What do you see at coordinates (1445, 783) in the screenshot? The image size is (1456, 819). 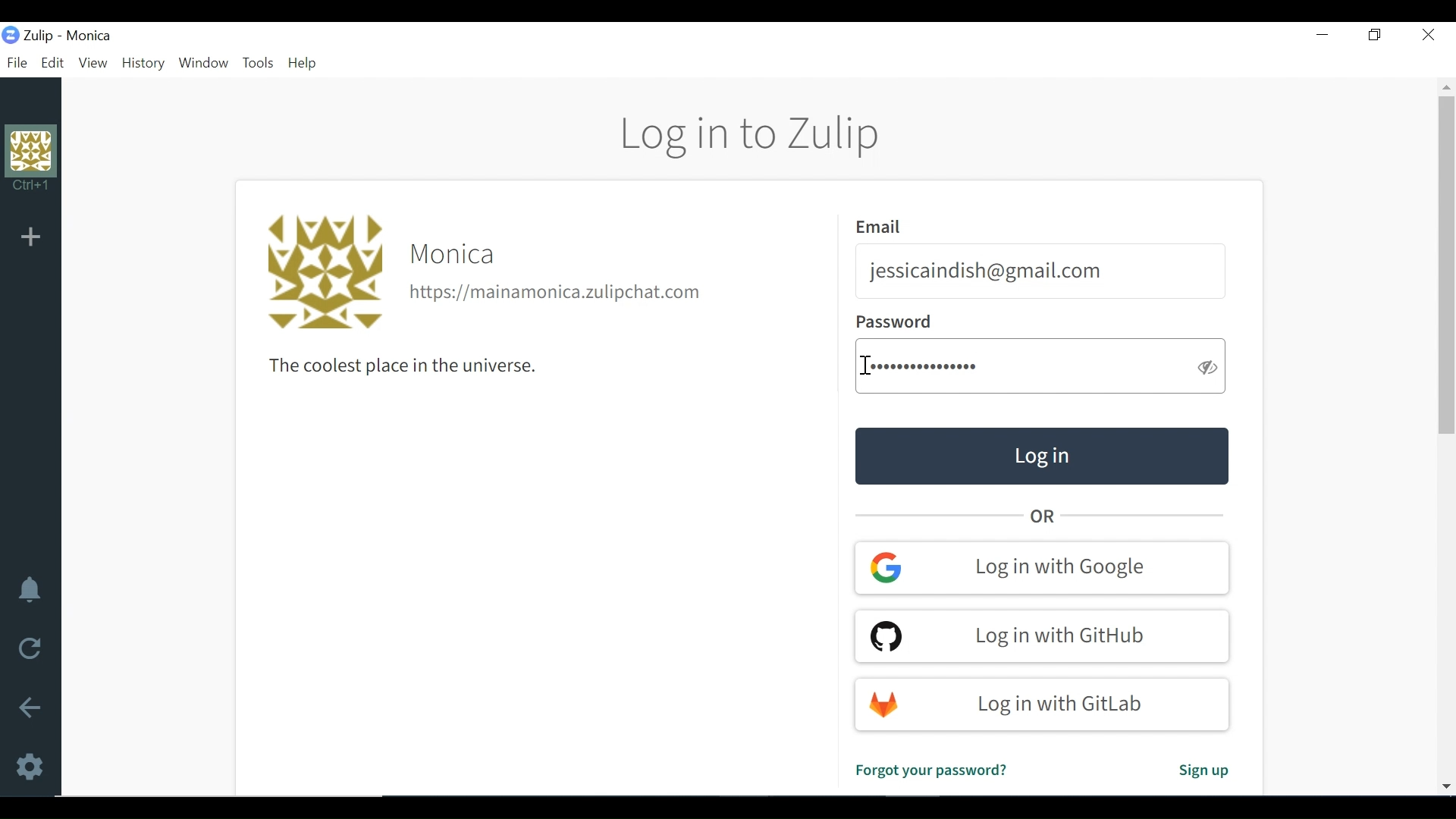 I see `Scroll down` at bounding box center [1445, 783].